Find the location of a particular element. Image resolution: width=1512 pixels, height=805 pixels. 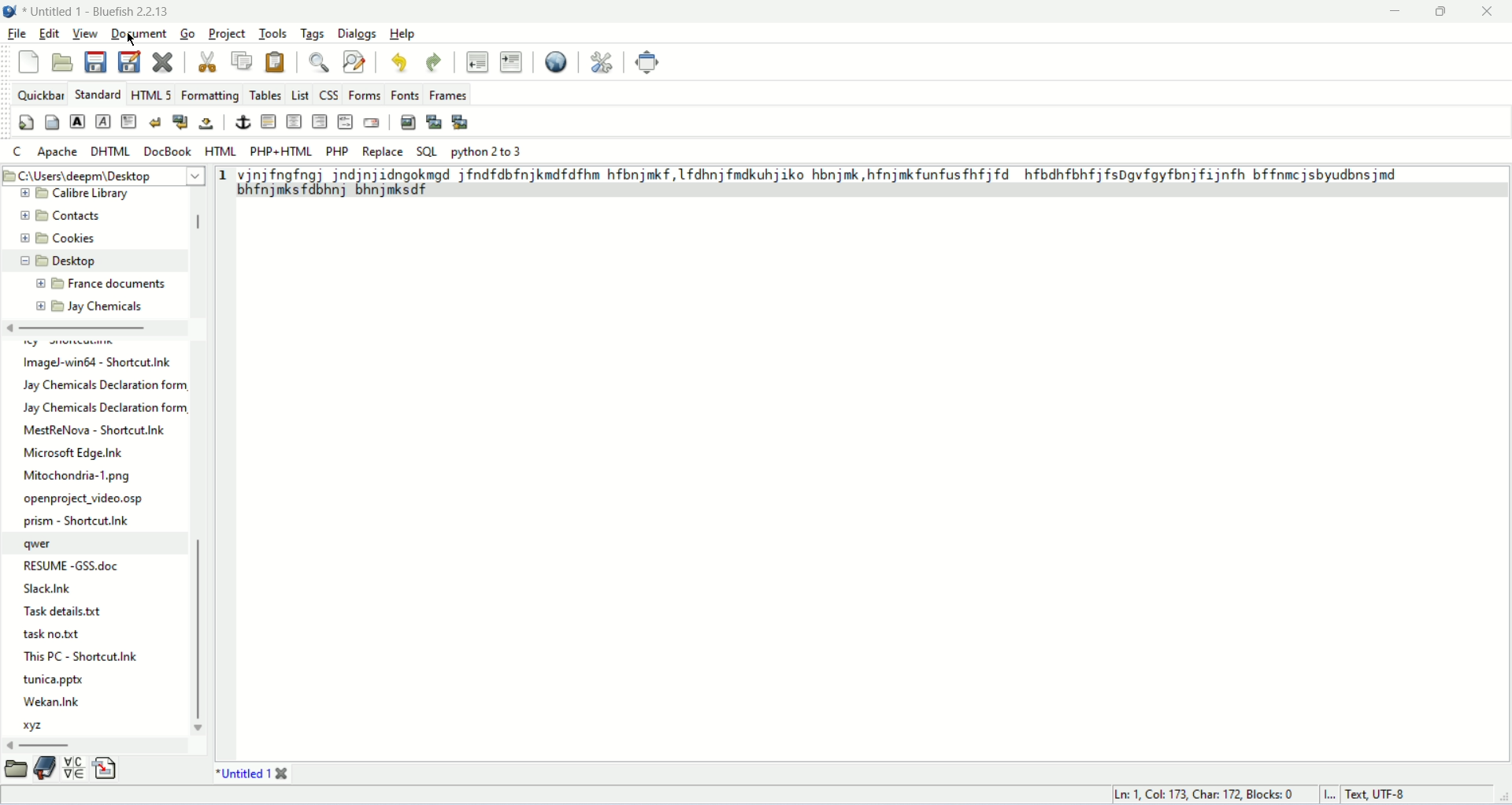

close is located at coordinates (287, 769).